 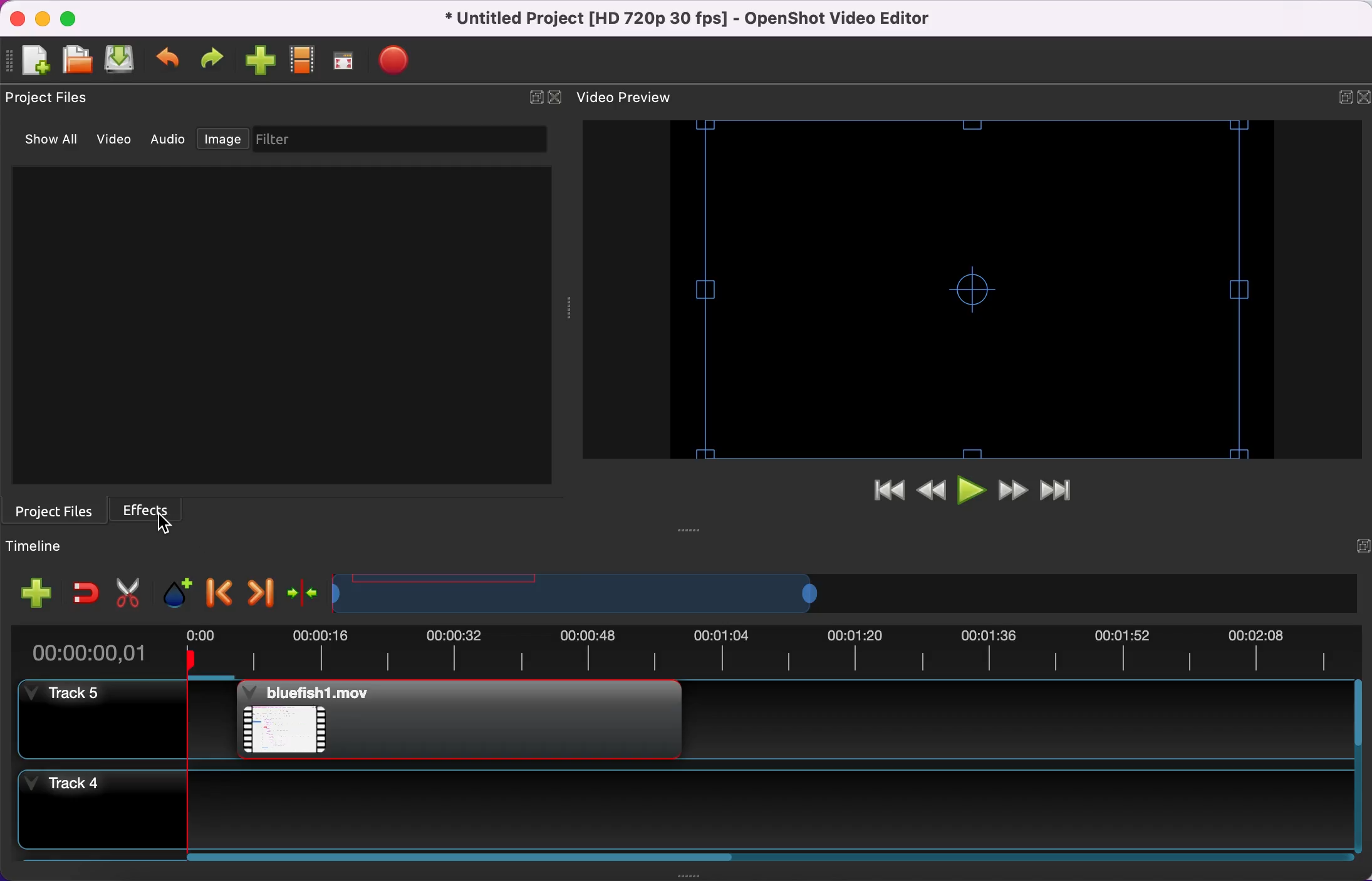 What do you see at coordinates (53, 102) in the screenshot?
I see `project files` at bounding box center [53, 102].